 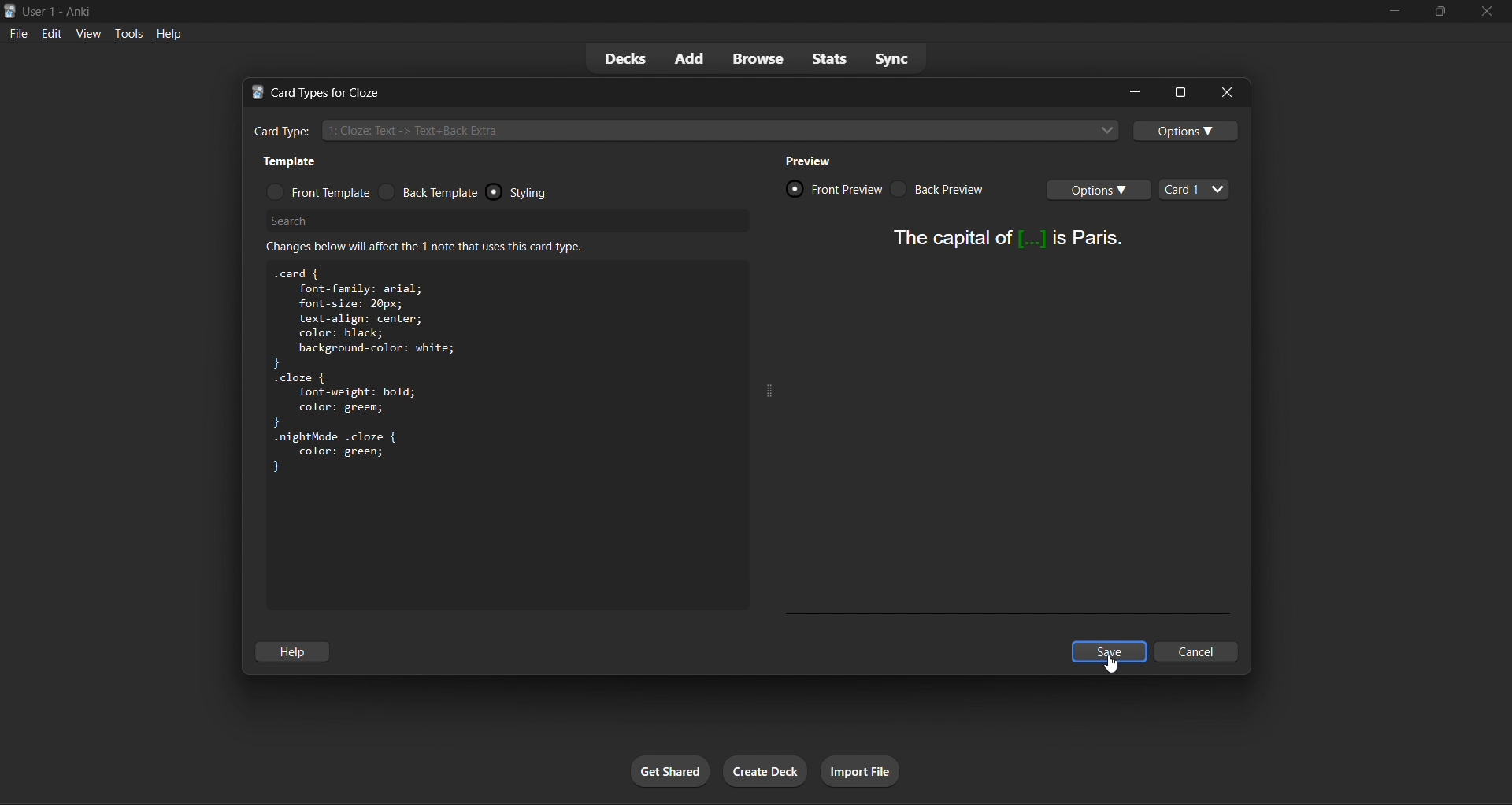 I want to click on maximize, so click(x=1440, y=13).